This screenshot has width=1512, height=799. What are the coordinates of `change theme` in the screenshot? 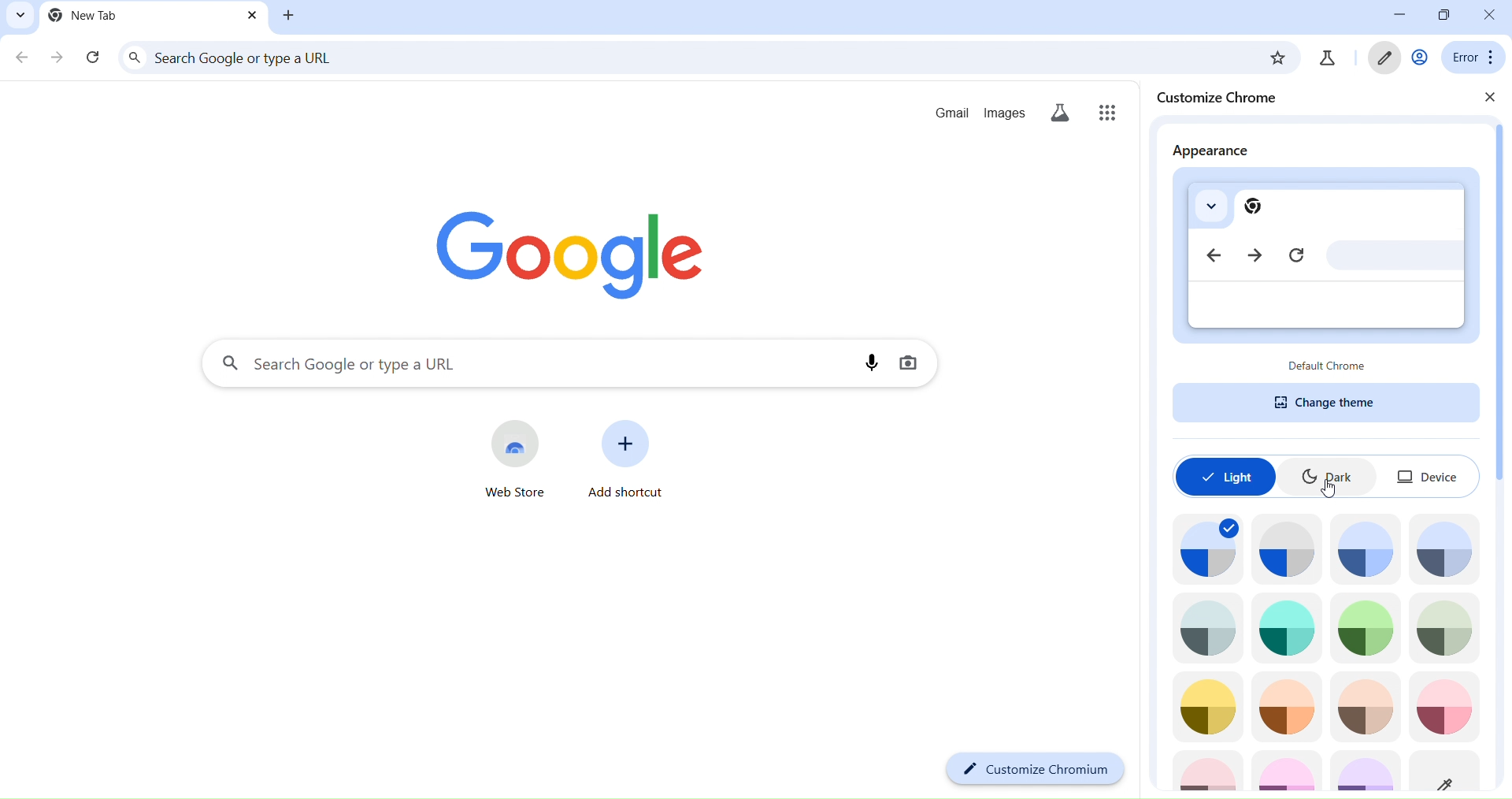 It's located at (1327, 403).